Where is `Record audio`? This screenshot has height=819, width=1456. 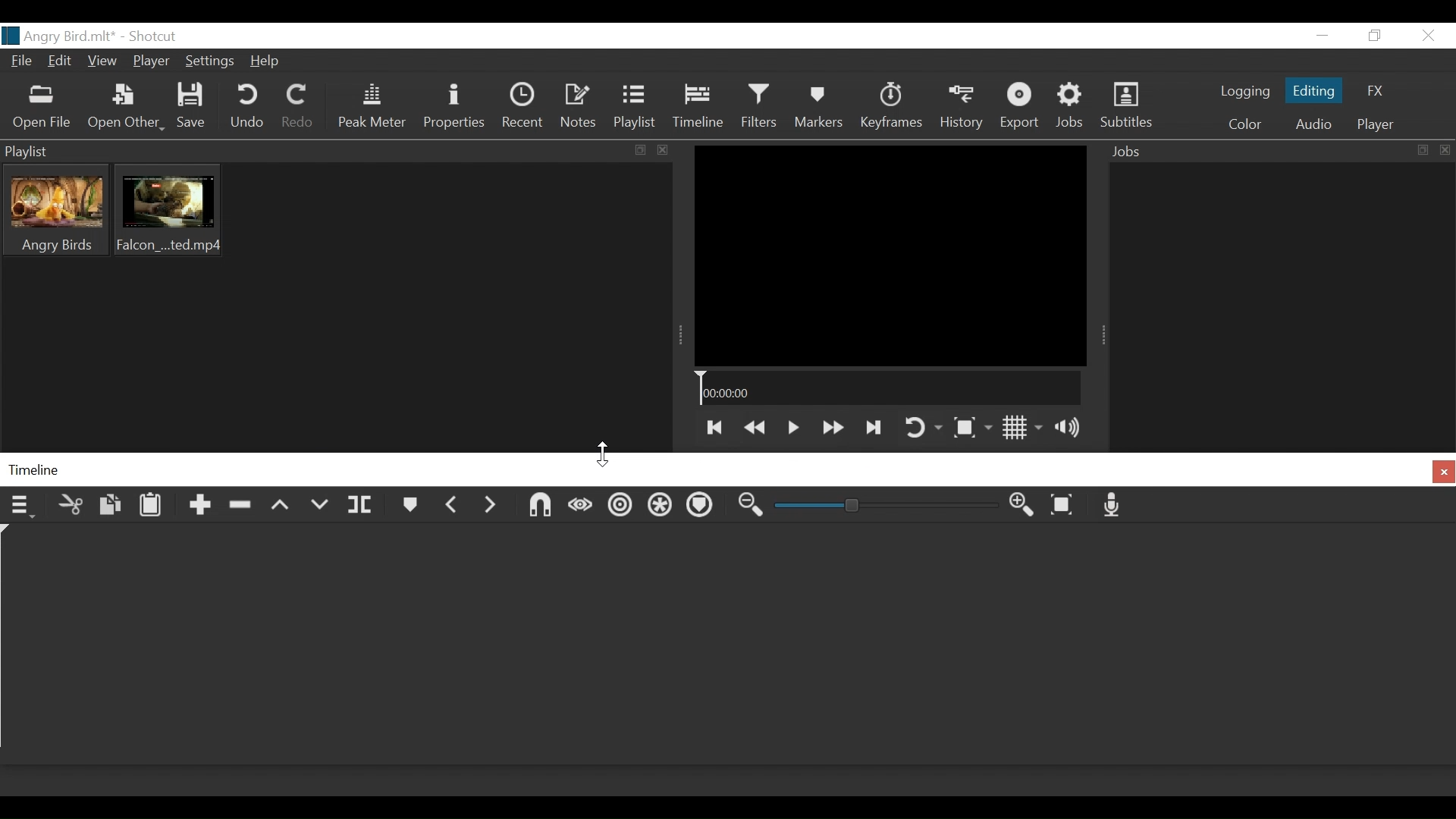 Record audio is located at coordinates (1116, 507).